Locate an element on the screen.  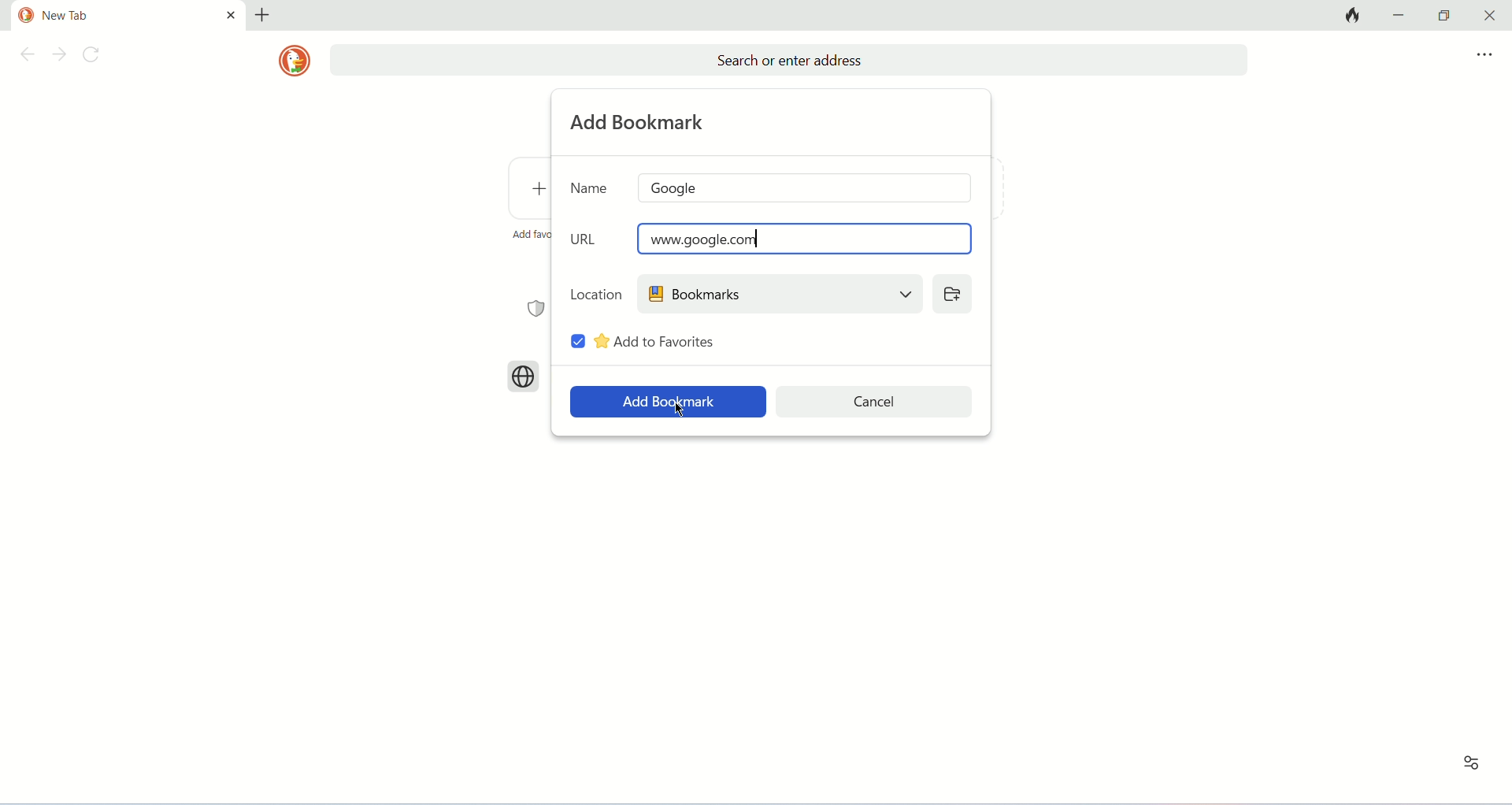
add bookmark is located at coordinates (668, 402).